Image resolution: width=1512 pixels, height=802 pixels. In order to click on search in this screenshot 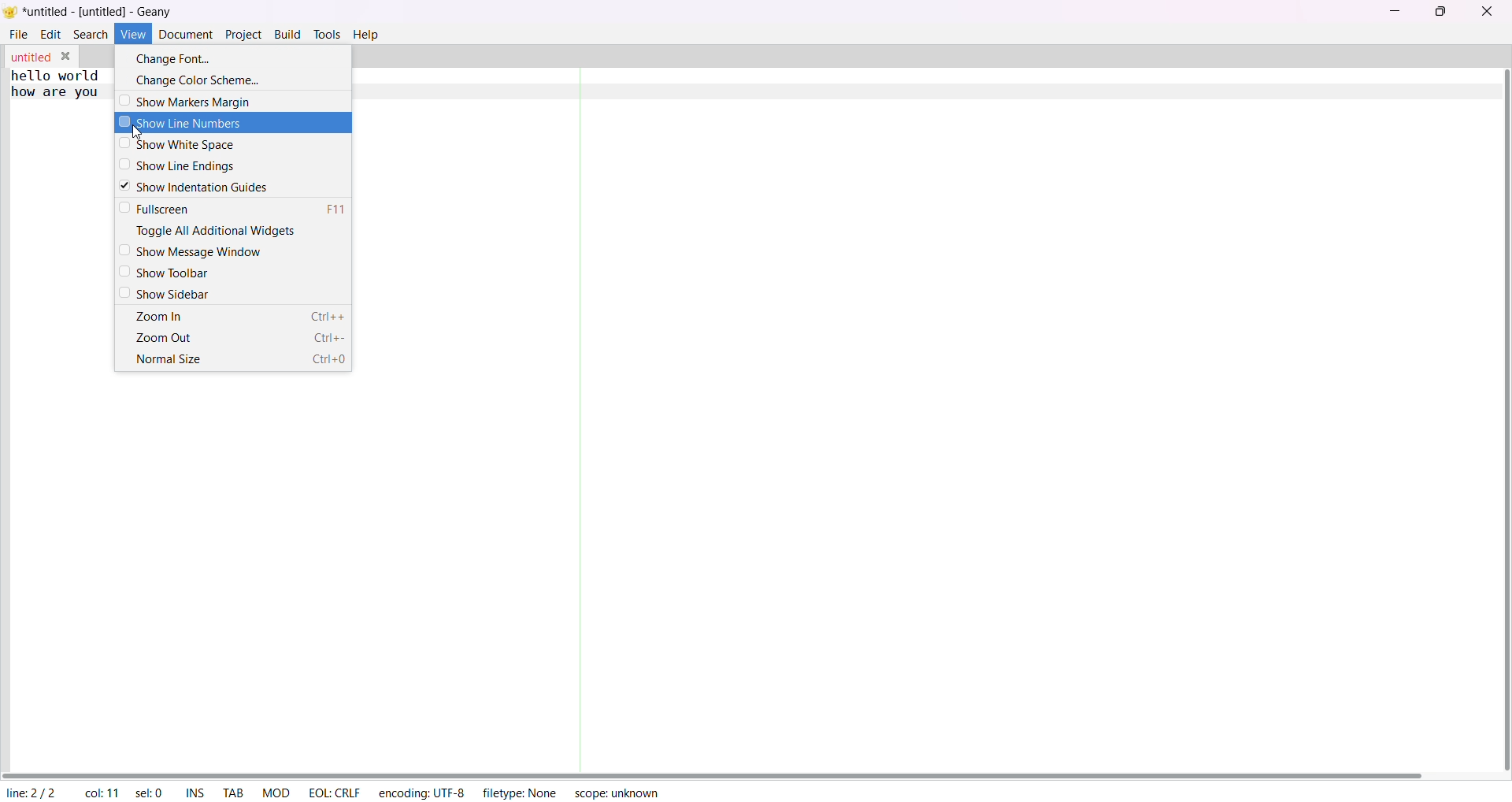, I will do `click(91, 34)`.